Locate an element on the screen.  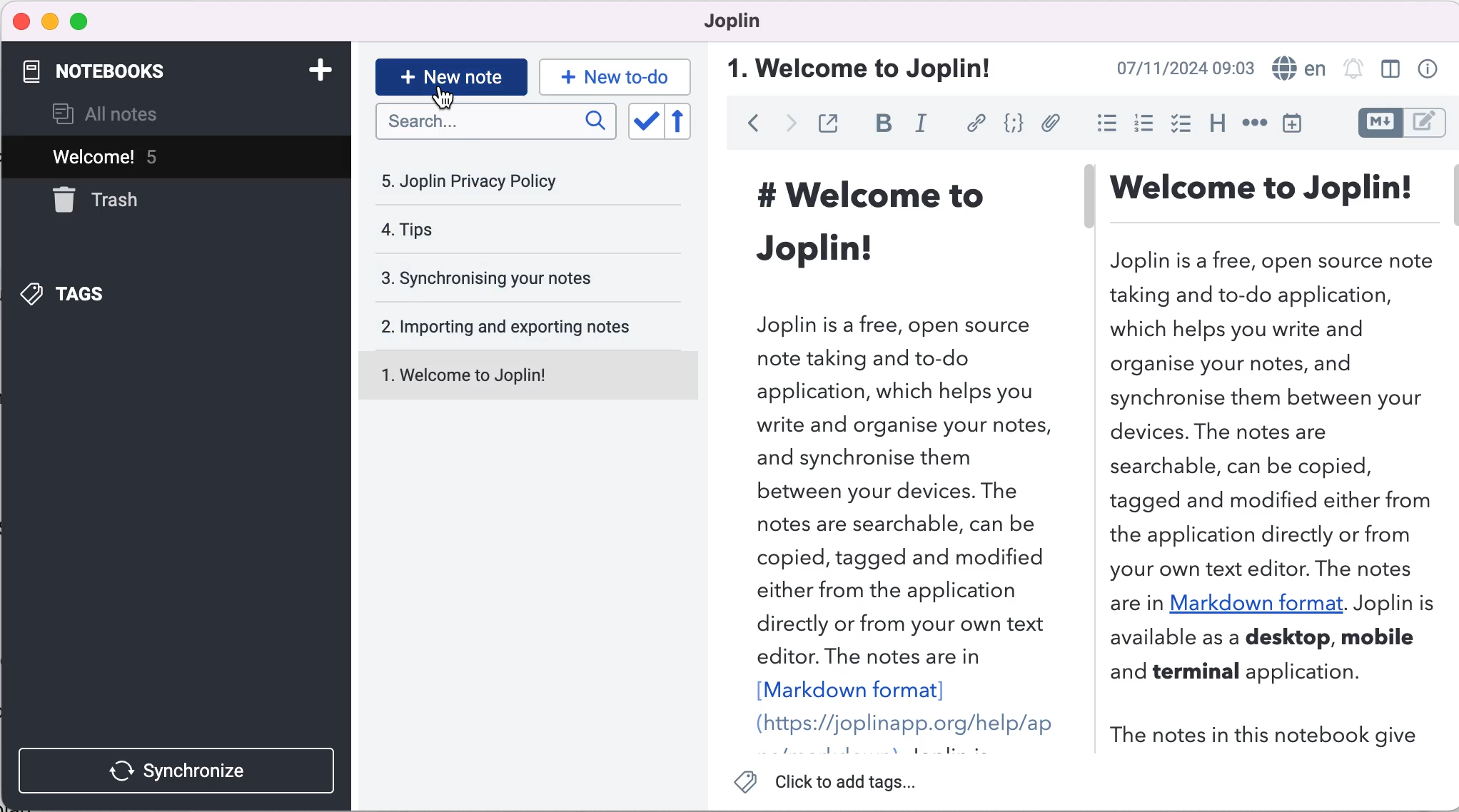
close is located at coordinates (19, 22).